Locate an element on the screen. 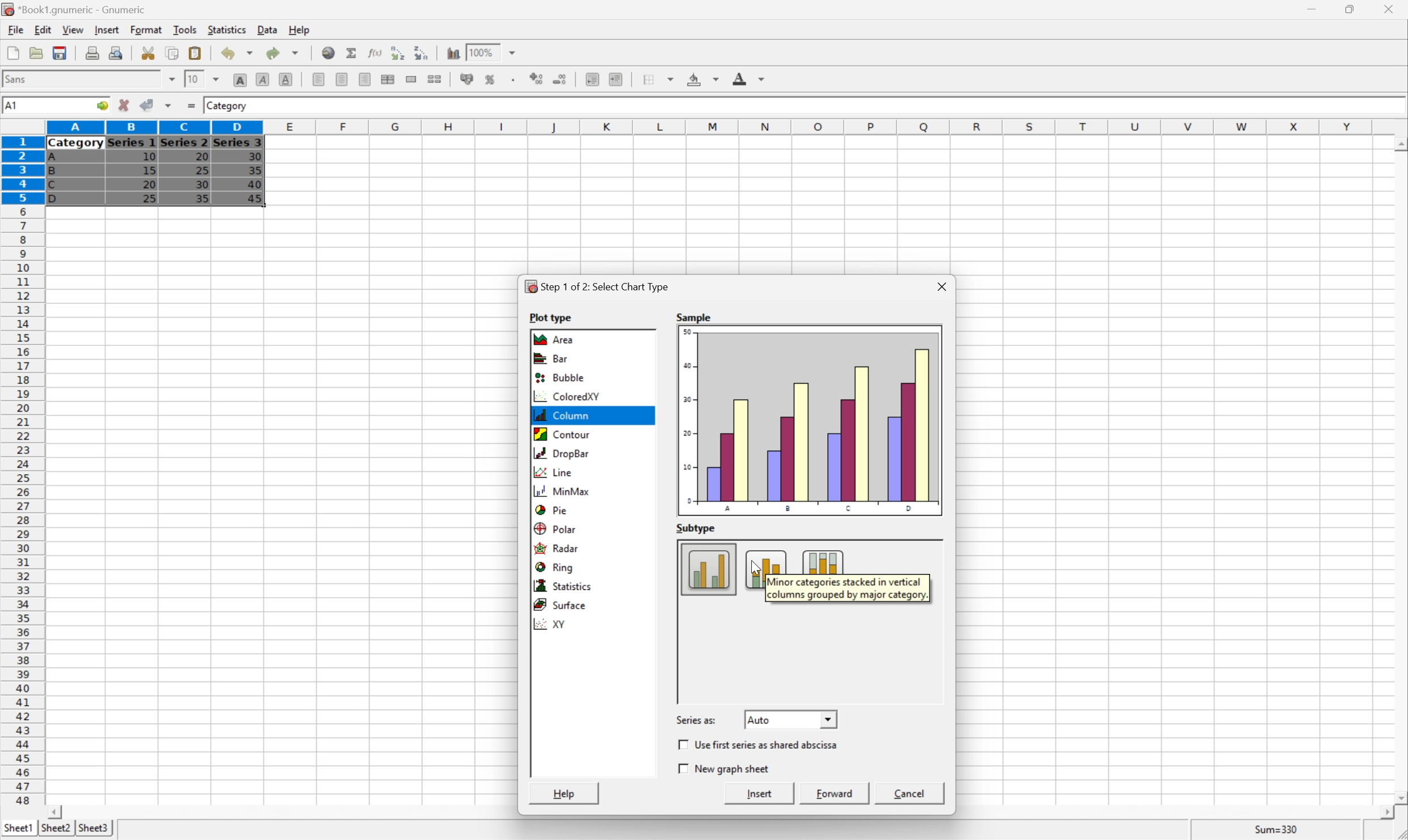 The image size is (1408, 840). Decrease indent, and align the contents to the left is located at coordinates (592, 79).